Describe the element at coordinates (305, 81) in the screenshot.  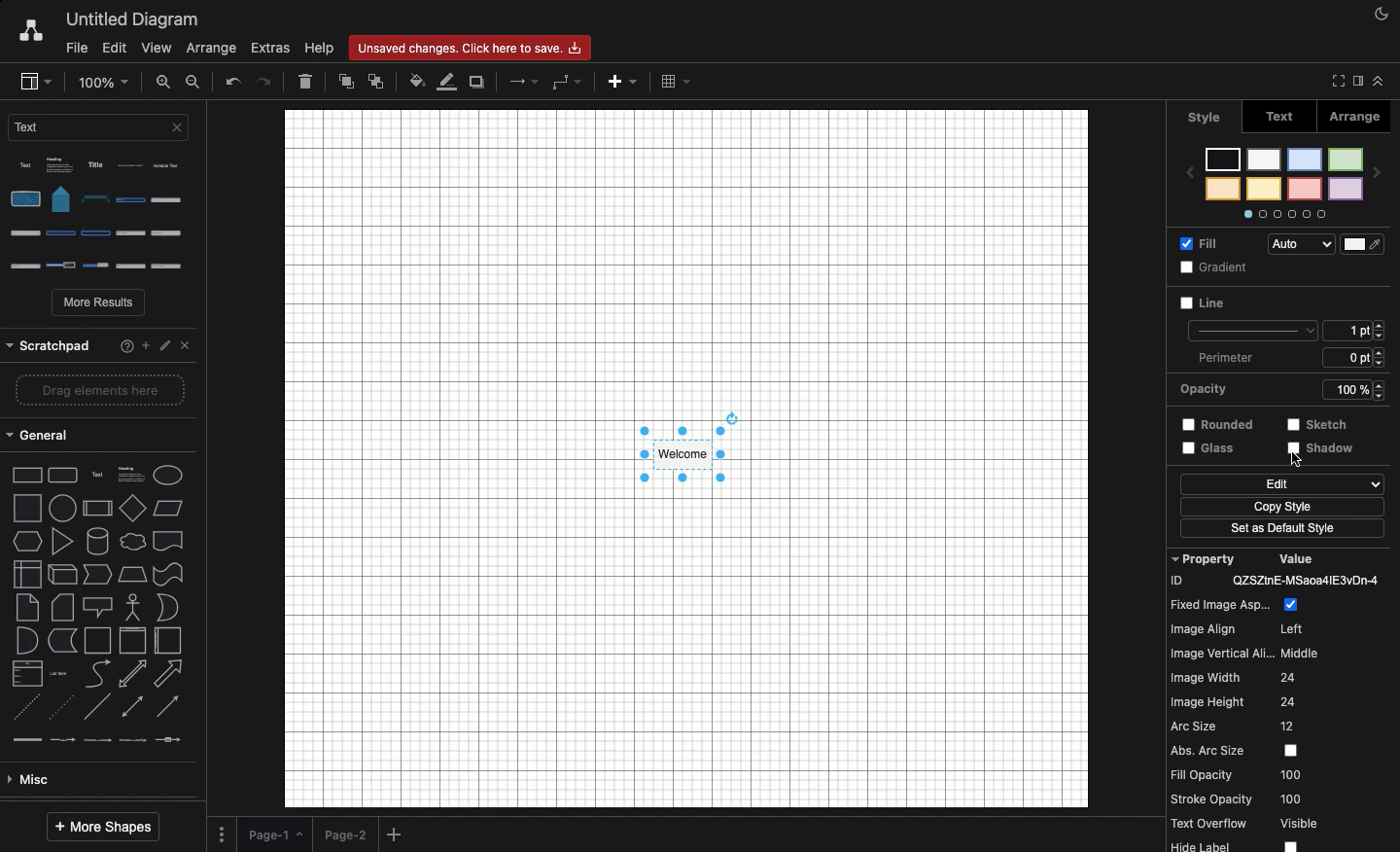
I see `Delete` at that location.